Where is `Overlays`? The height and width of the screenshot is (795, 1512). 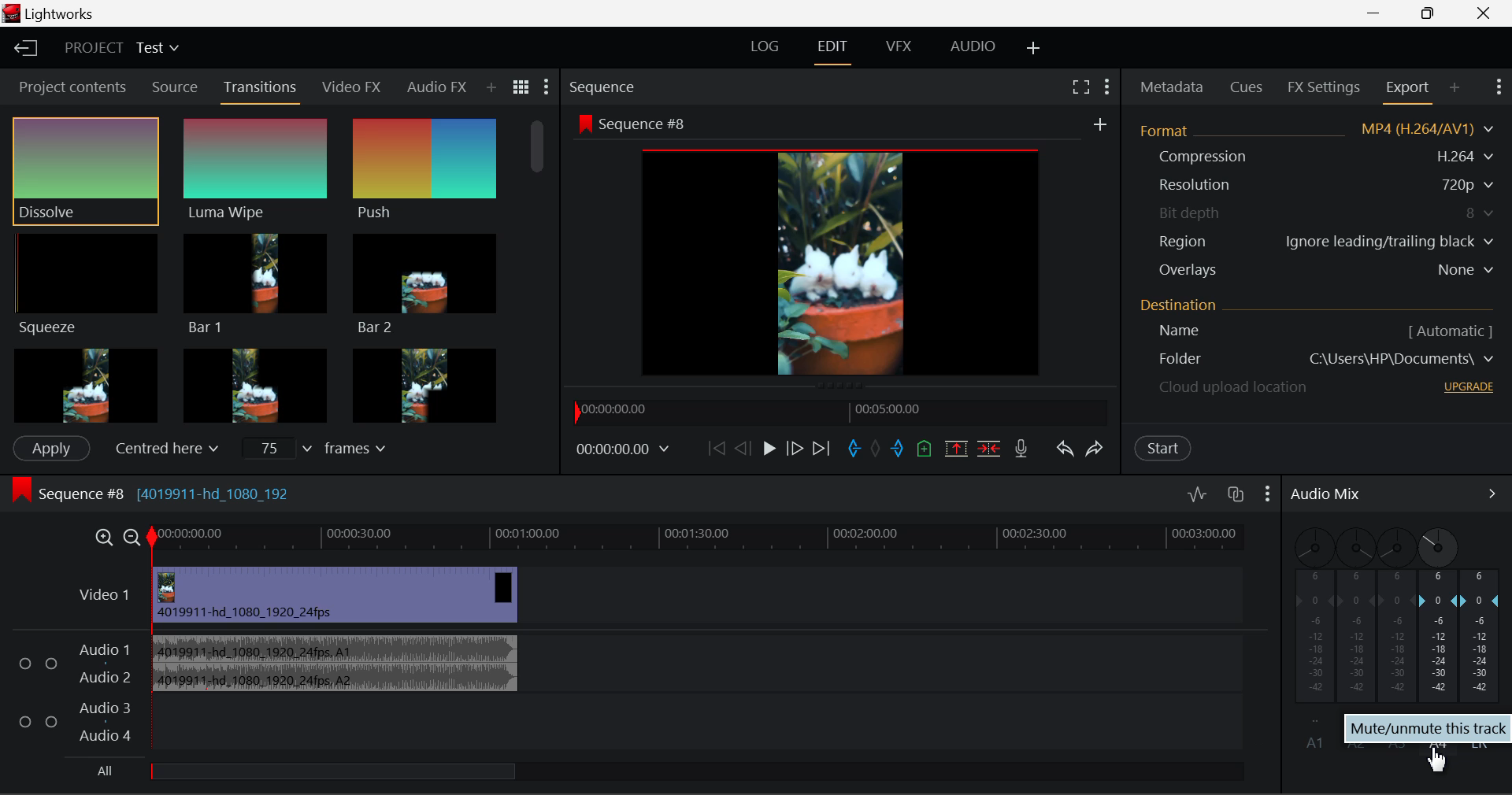 Overlays is located at coordinates (1317, 269).